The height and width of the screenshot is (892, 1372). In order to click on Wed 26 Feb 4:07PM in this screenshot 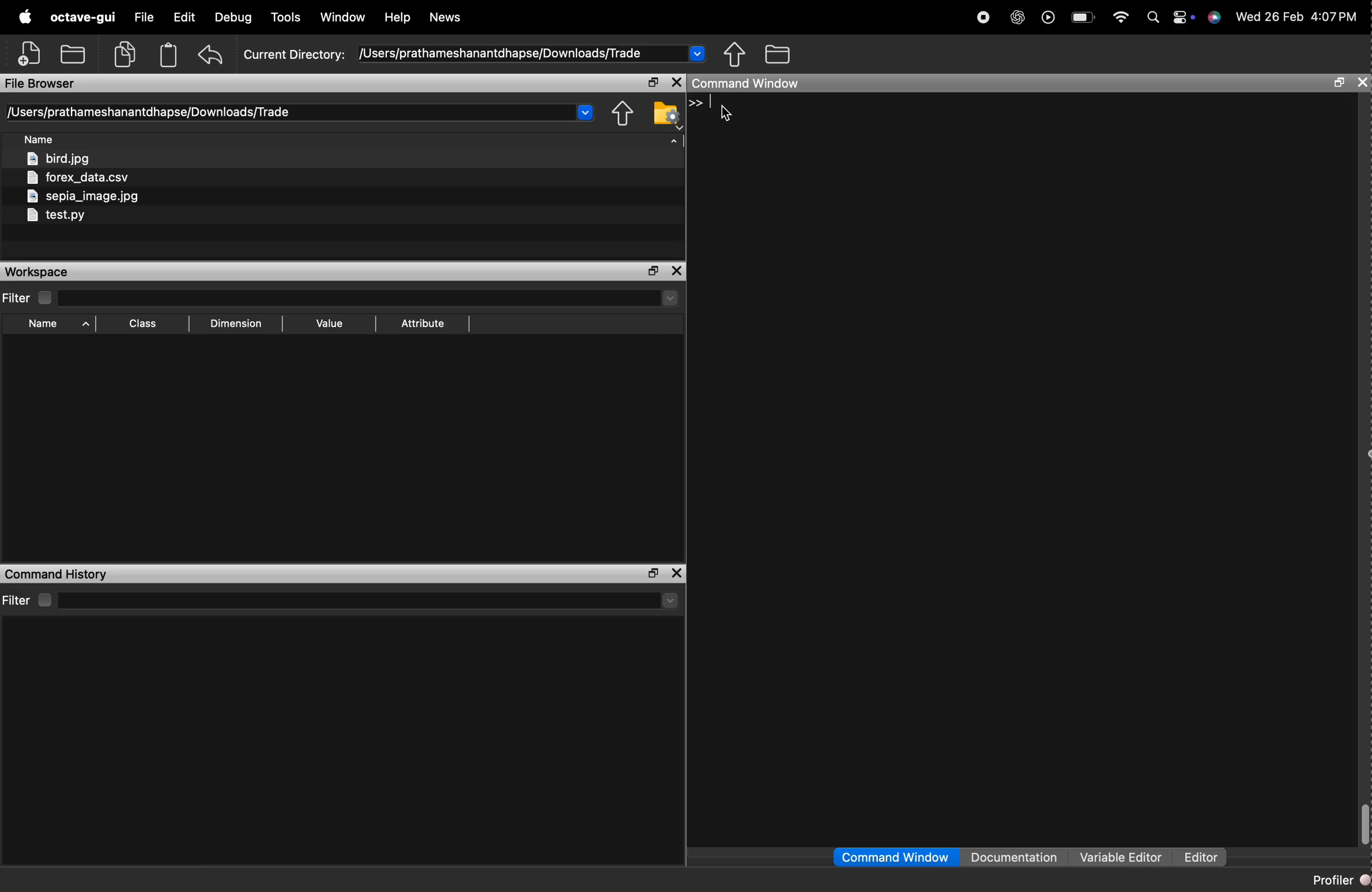, I will do `click(1294, 18)`.